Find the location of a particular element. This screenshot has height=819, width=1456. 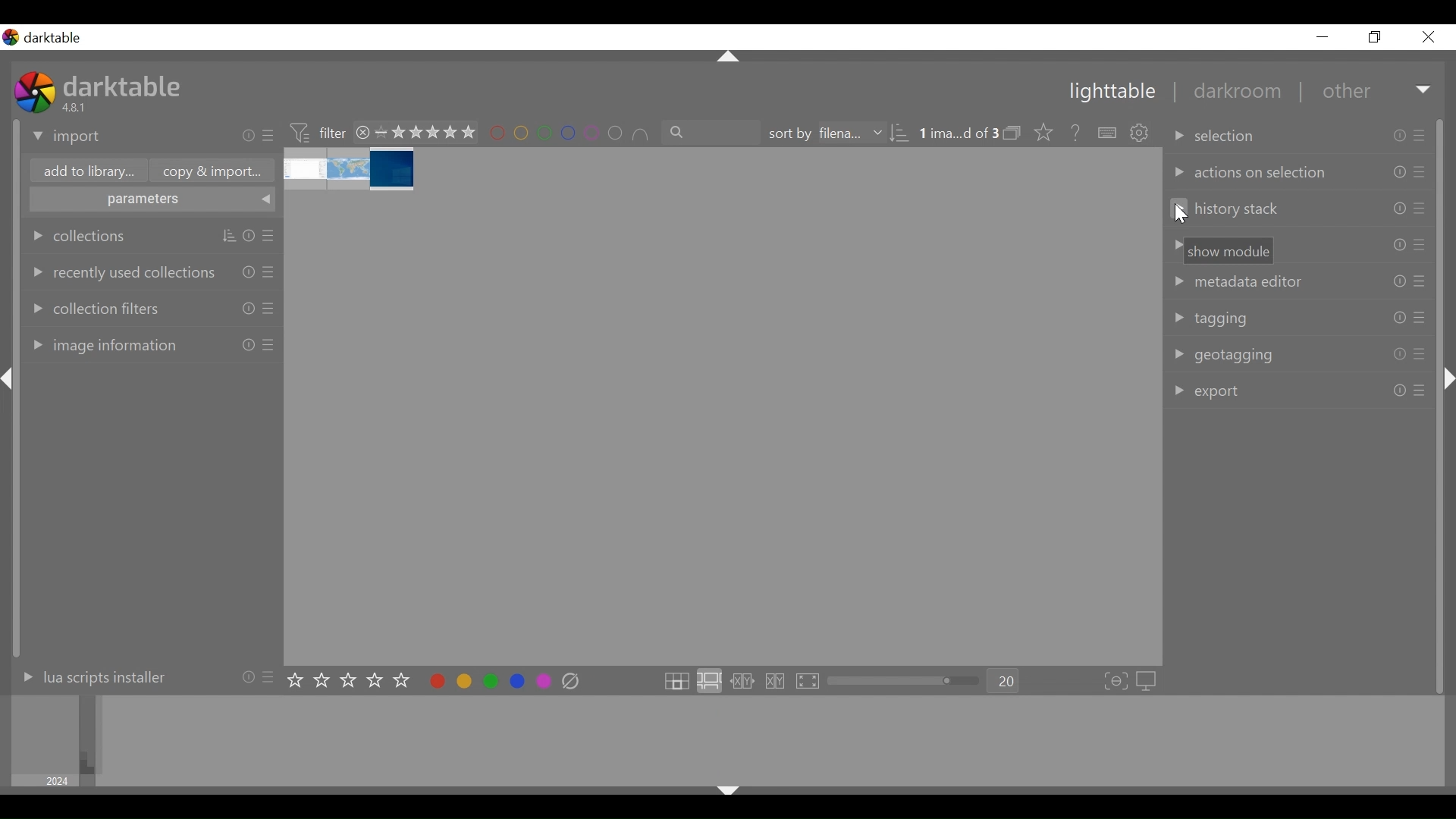

presets is located at coordinates (1419, 390).